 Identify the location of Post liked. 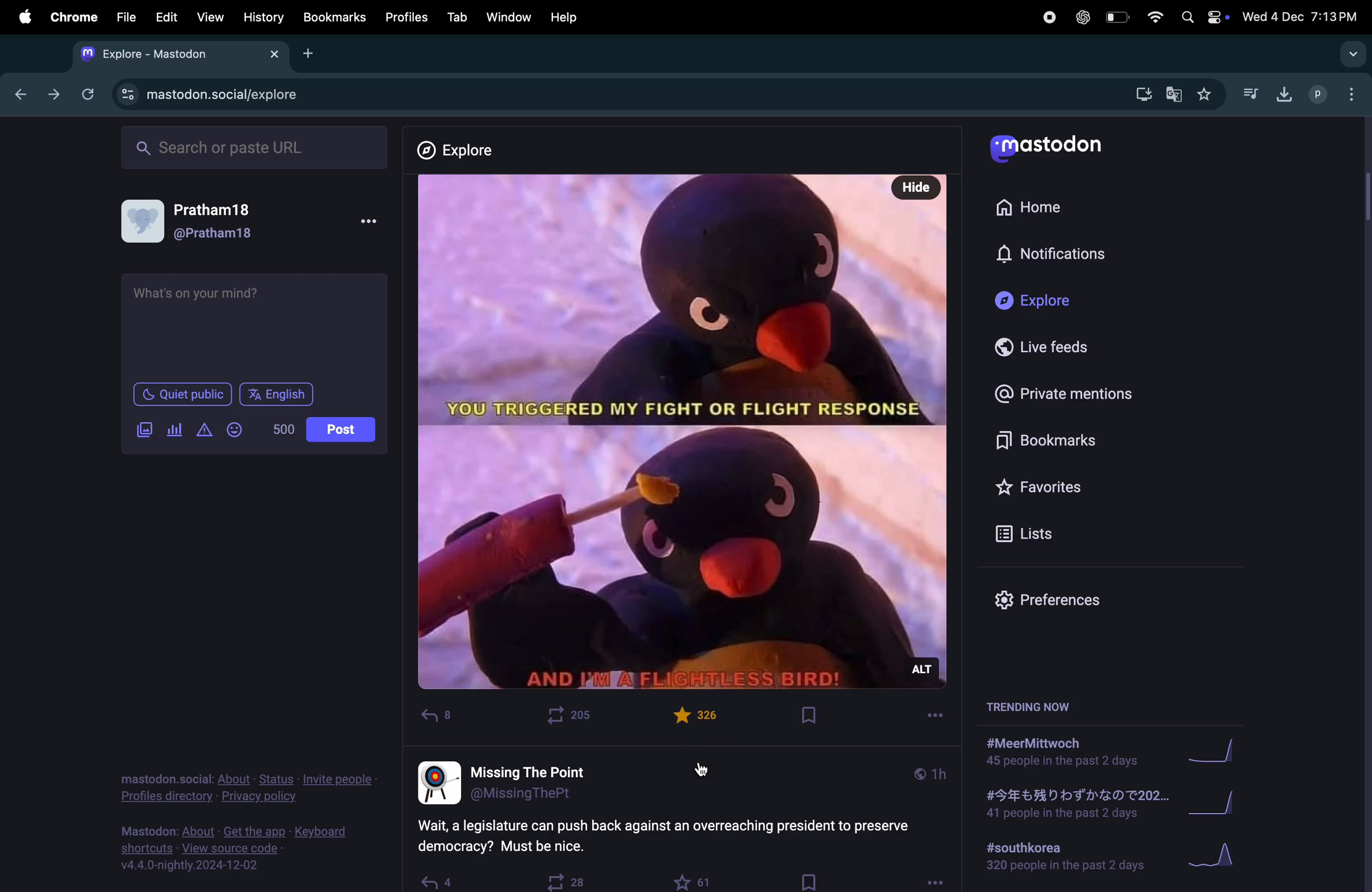
(699, 715).